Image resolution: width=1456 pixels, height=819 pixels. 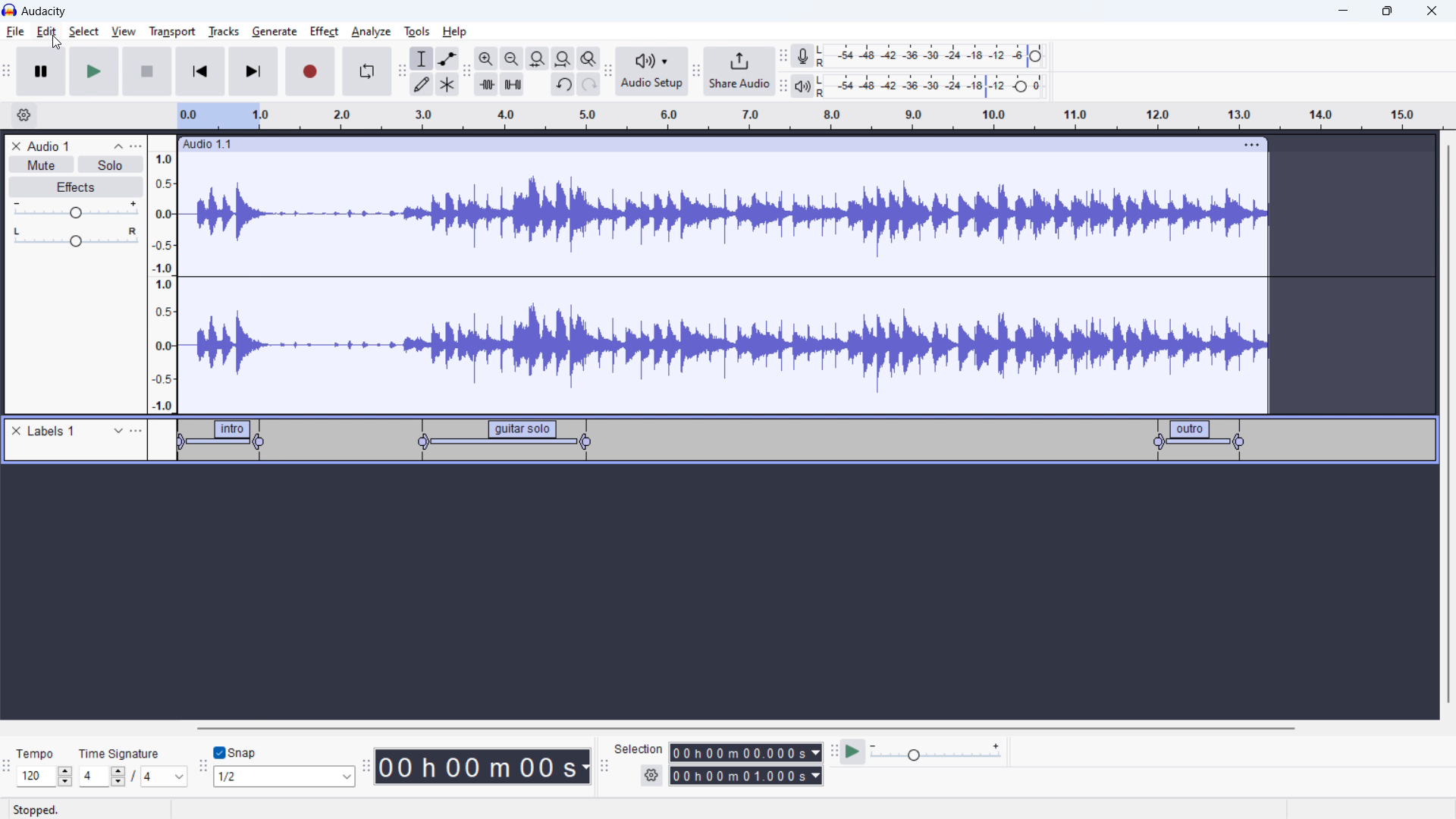 What do you see at coordinates (46, 32) in the screenshot?
I see `edit` at bounding box center [46, 32].